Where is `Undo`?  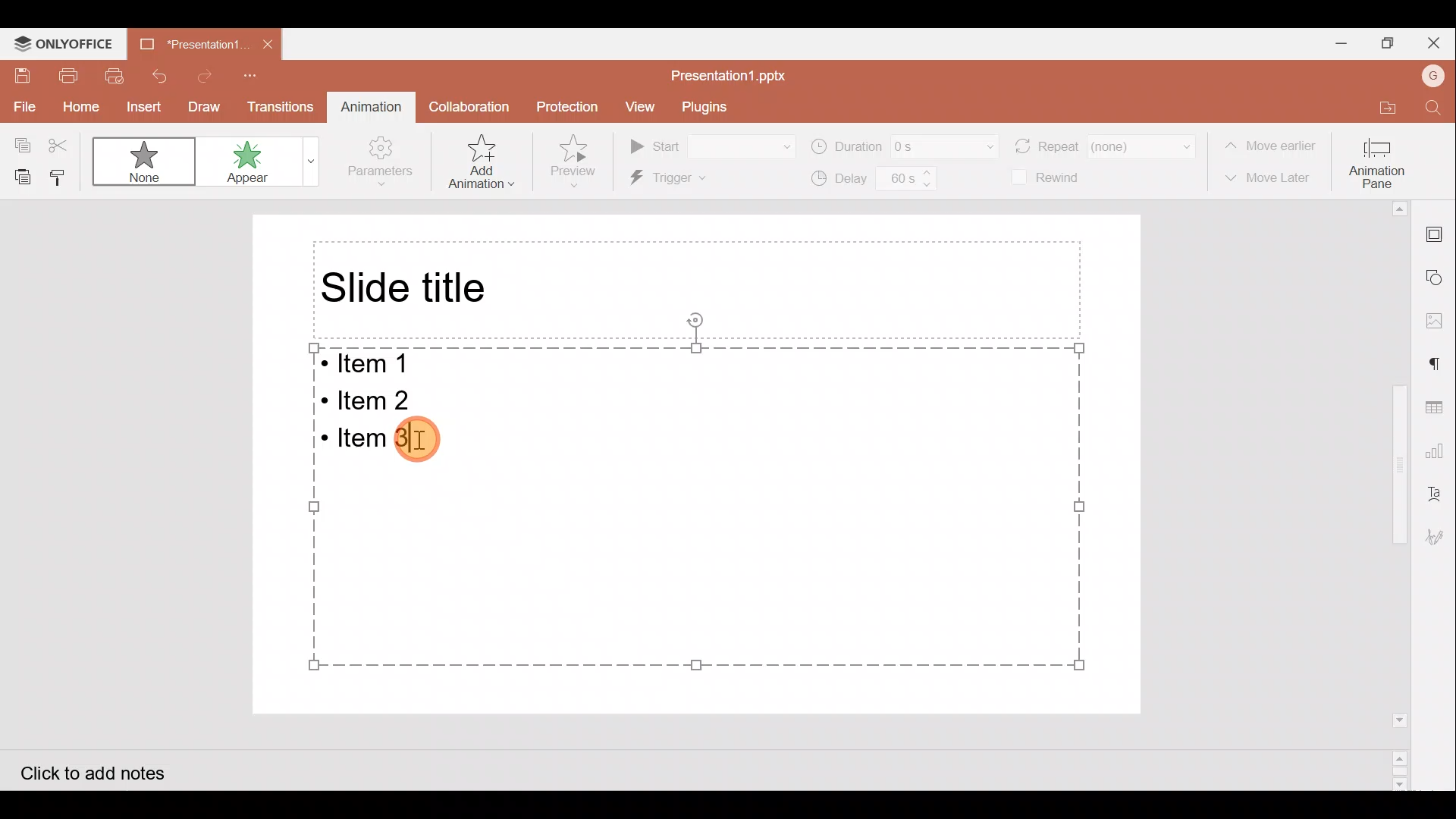 Undo is located at coordinates (159, 73).